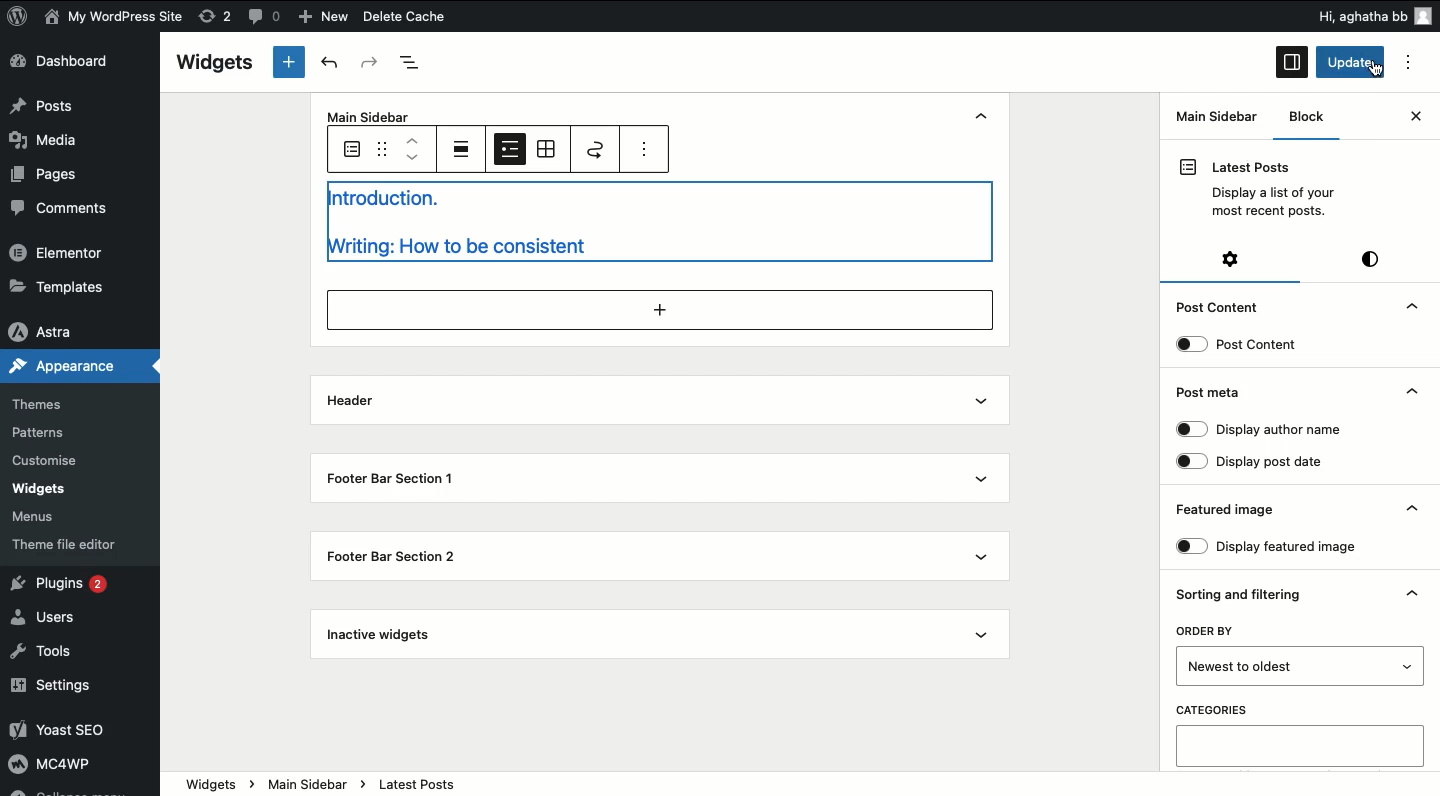 This screenshot has height=796, width=1440. Describe the element at coordinates (350, 151) in the screenshot. I see `Latest pots` at that location.